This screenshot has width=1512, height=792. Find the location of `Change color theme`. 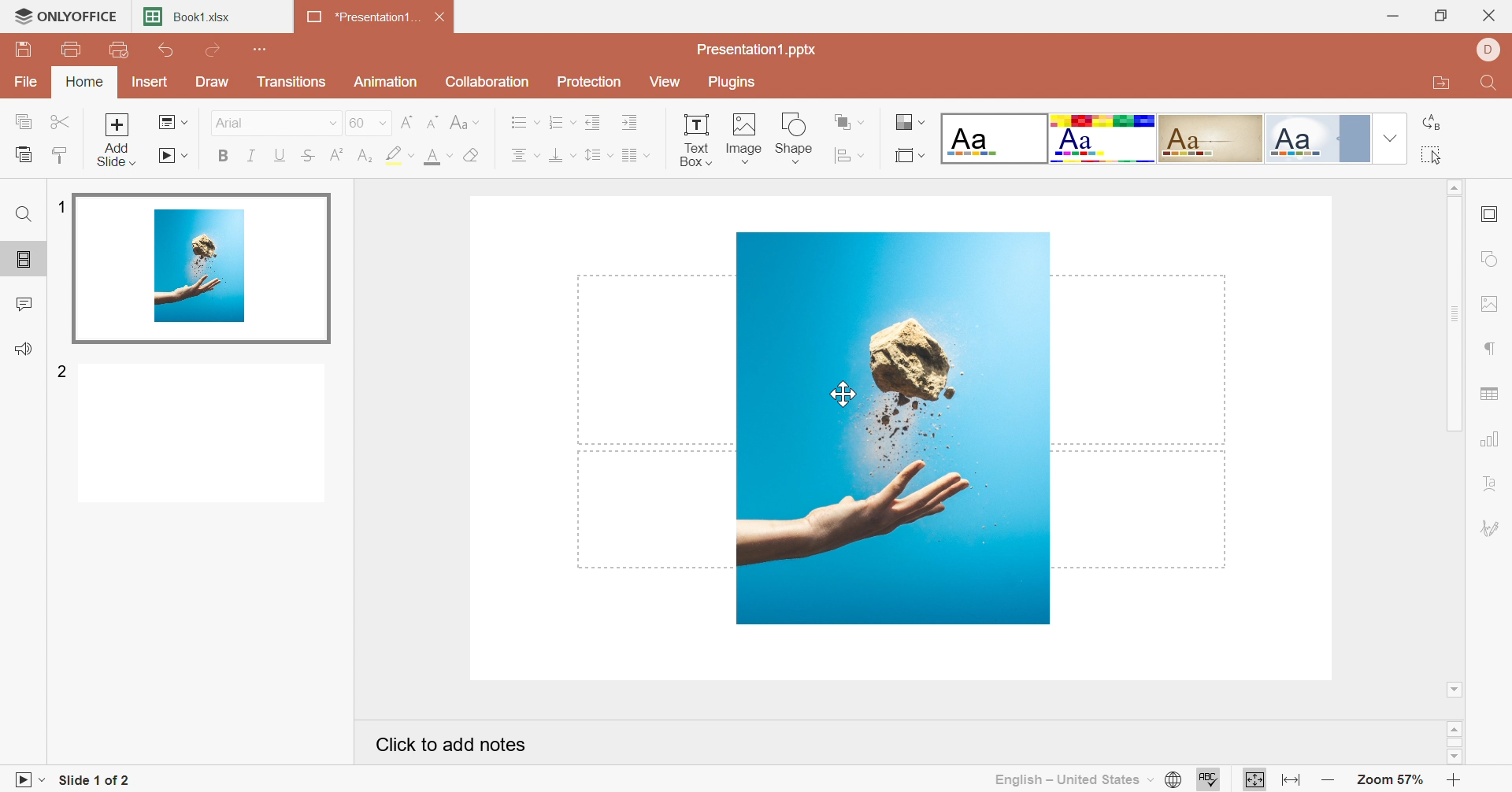

Change color theme is located at coordinates (908, 122).